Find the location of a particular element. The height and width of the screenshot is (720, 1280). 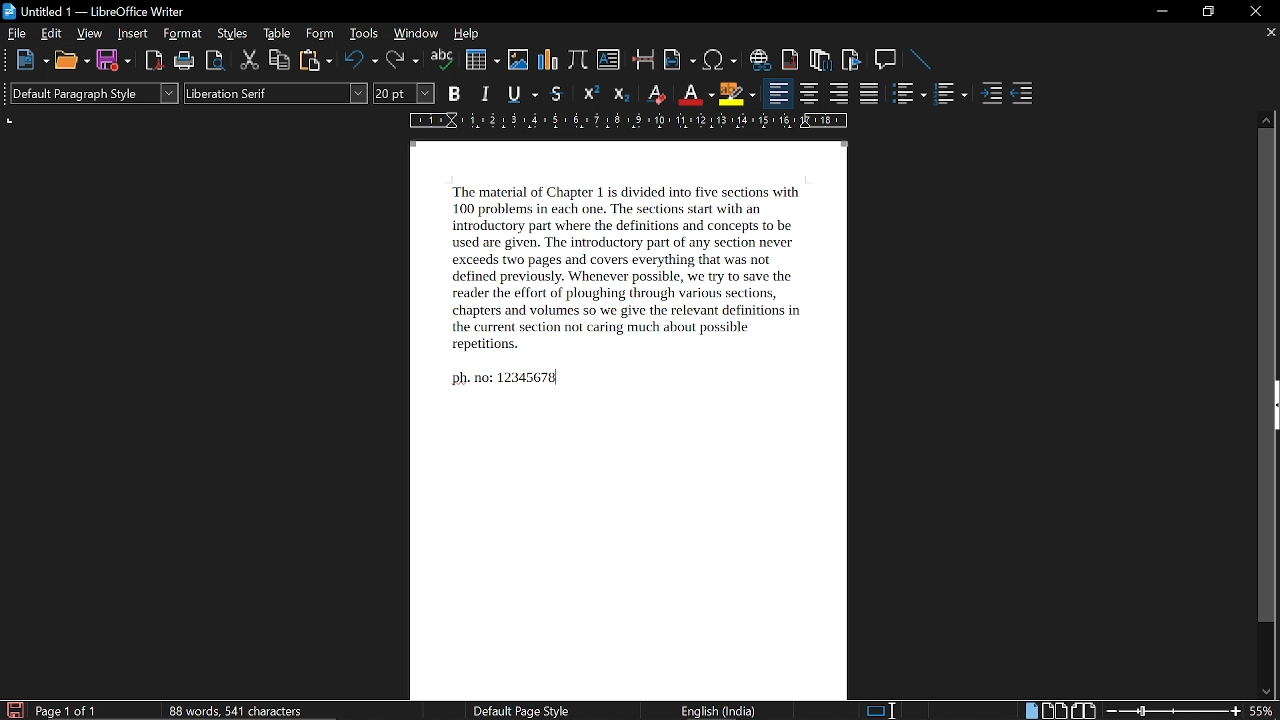

redo is located at coordinates (401, 61).